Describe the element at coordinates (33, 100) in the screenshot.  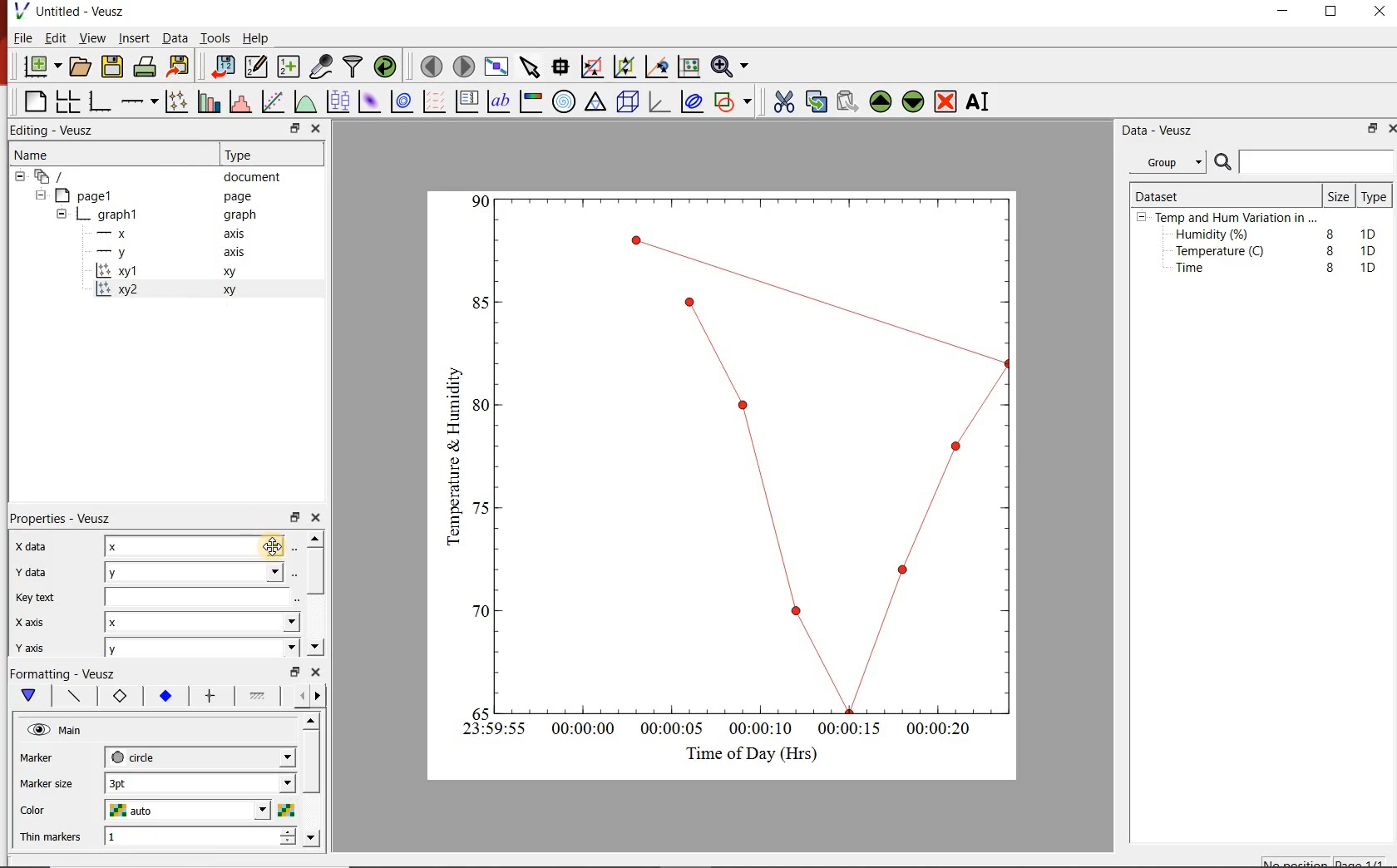
I see `blank page` at that location.